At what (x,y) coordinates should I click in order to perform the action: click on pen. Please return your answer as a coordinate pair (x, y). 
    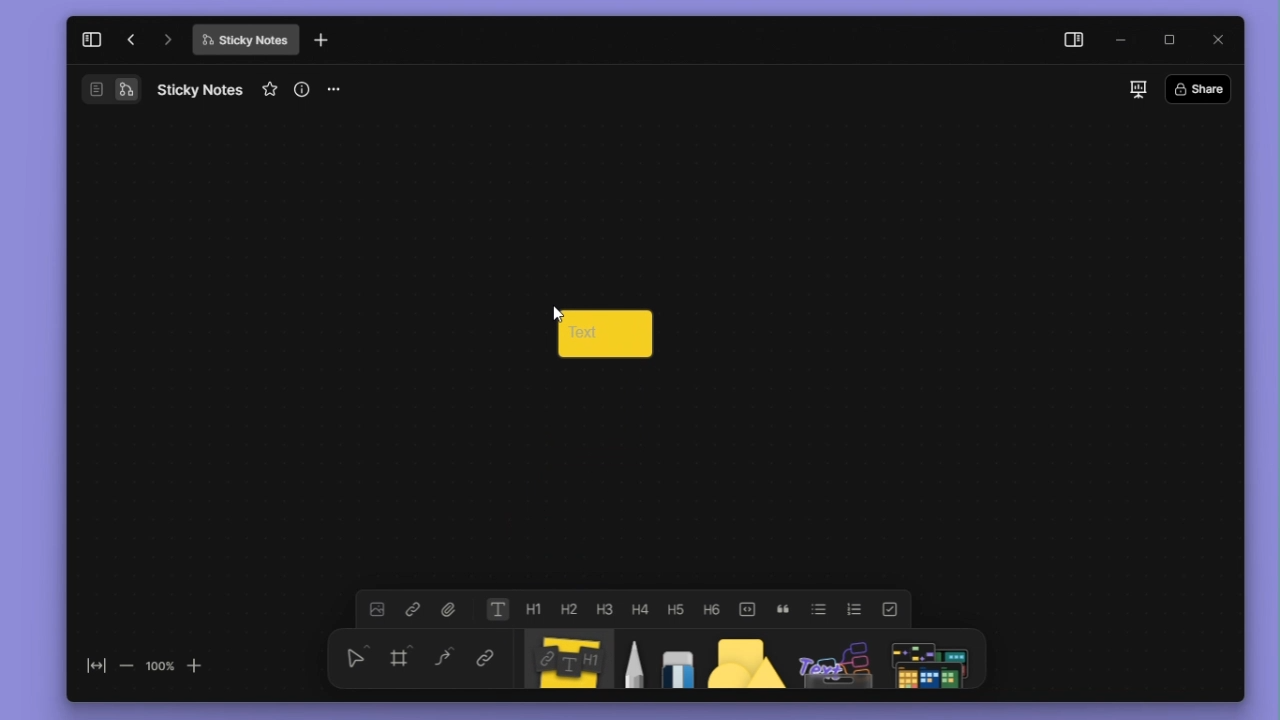
    Looking at the image, I should click on (637, 661).